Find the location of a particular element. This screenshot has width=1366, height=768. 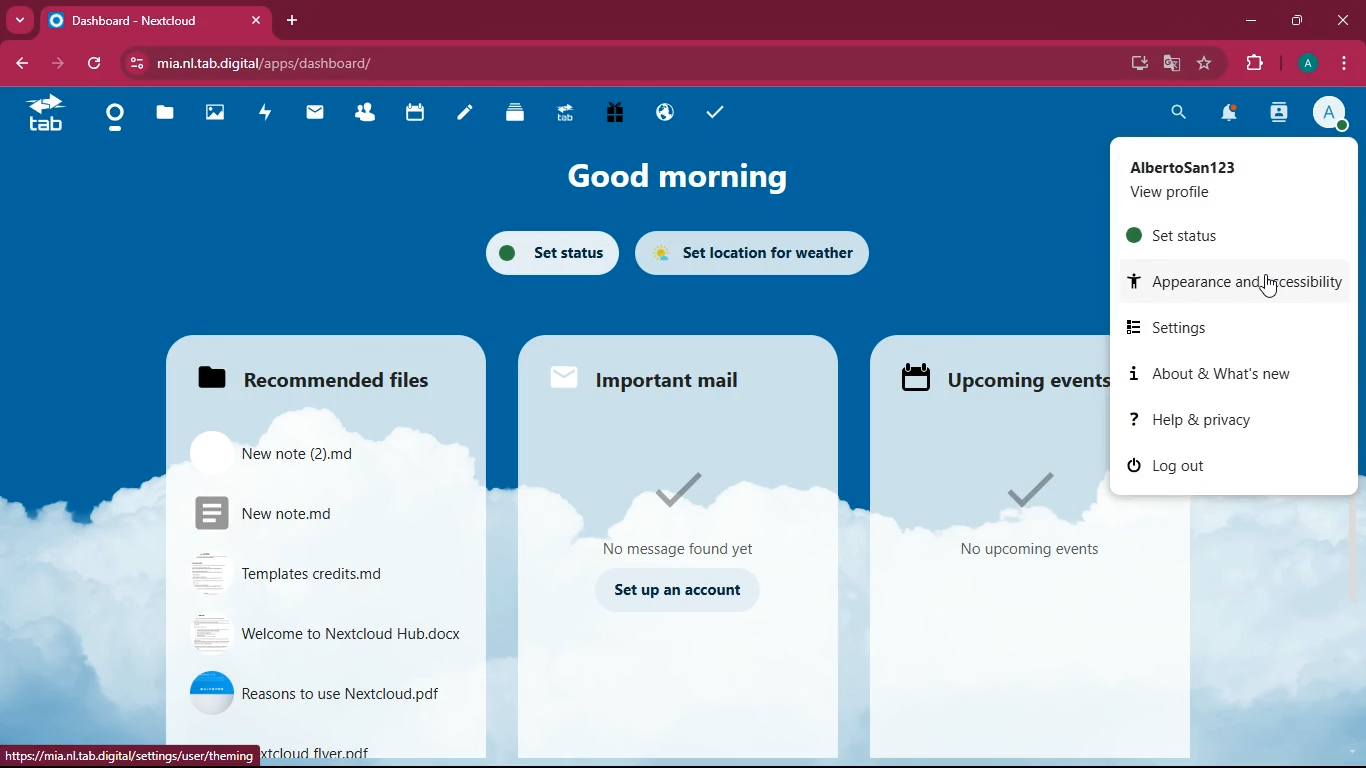

url is located at coordinates (288, 63).